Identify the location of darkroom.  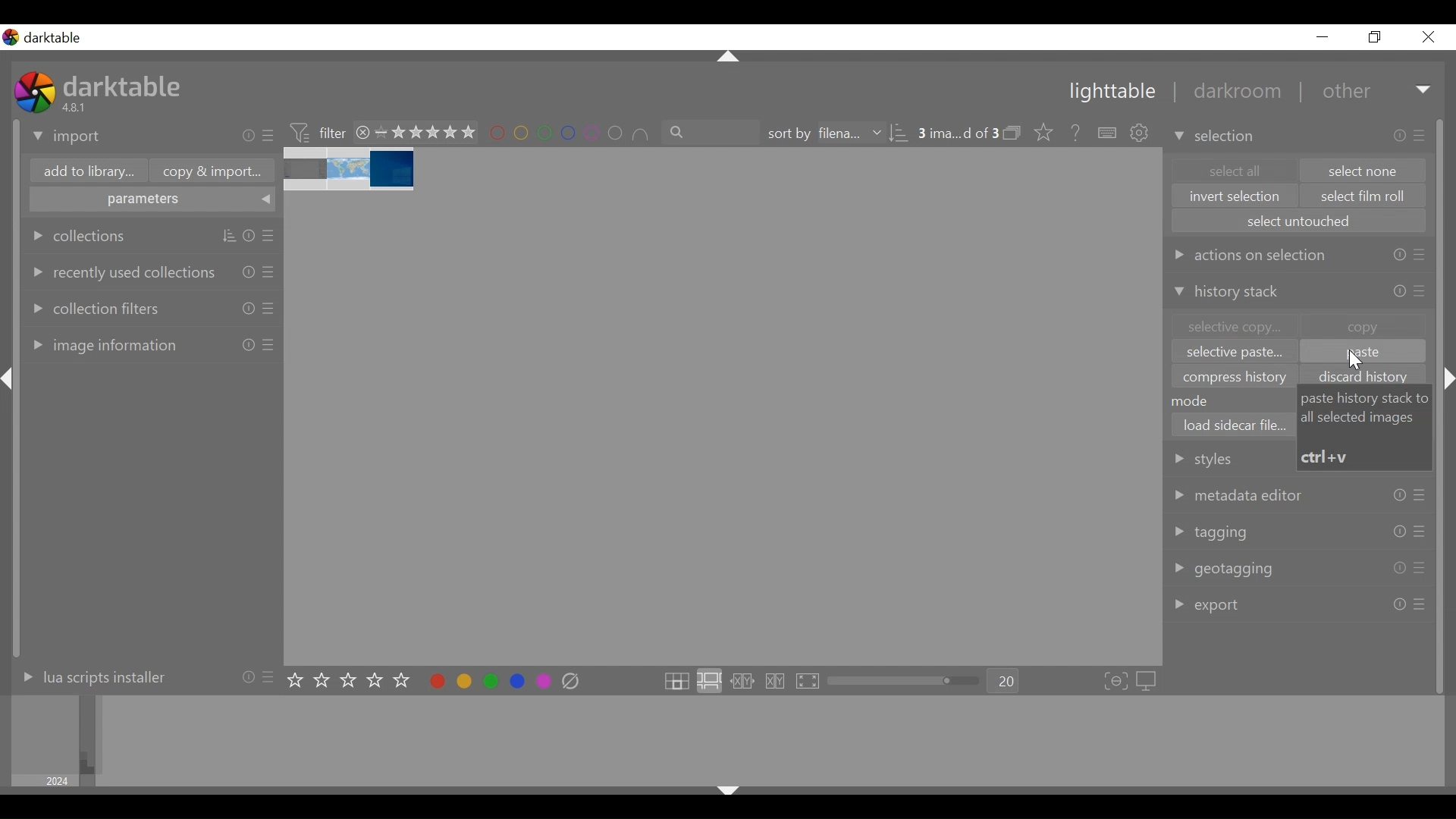
(1231, 93).